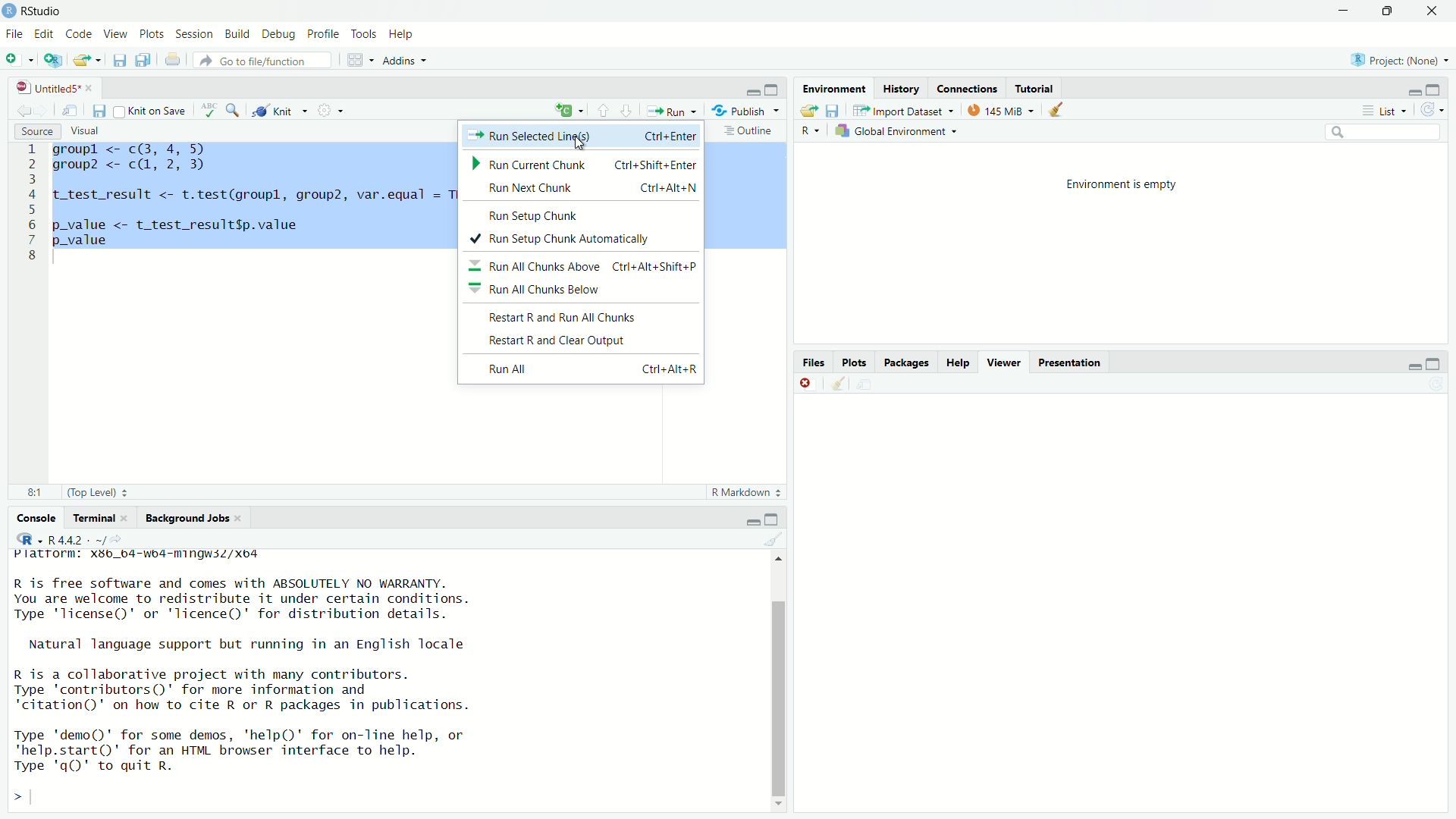  Describe the element at coordinates (903, 109) in the screenshot. I see `Import dataset` at that location.